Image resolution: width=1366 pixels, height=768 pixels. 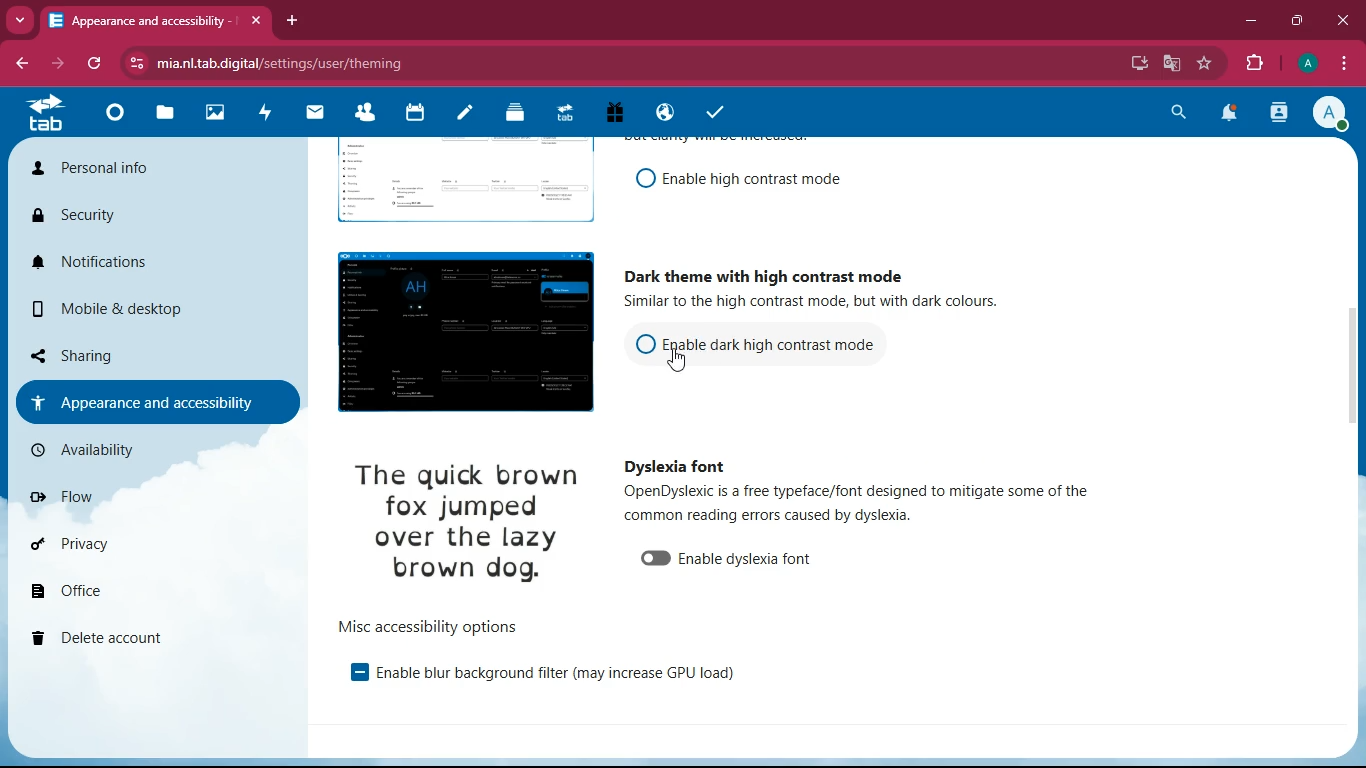 I want to click on image, so click(x=476, y=524).